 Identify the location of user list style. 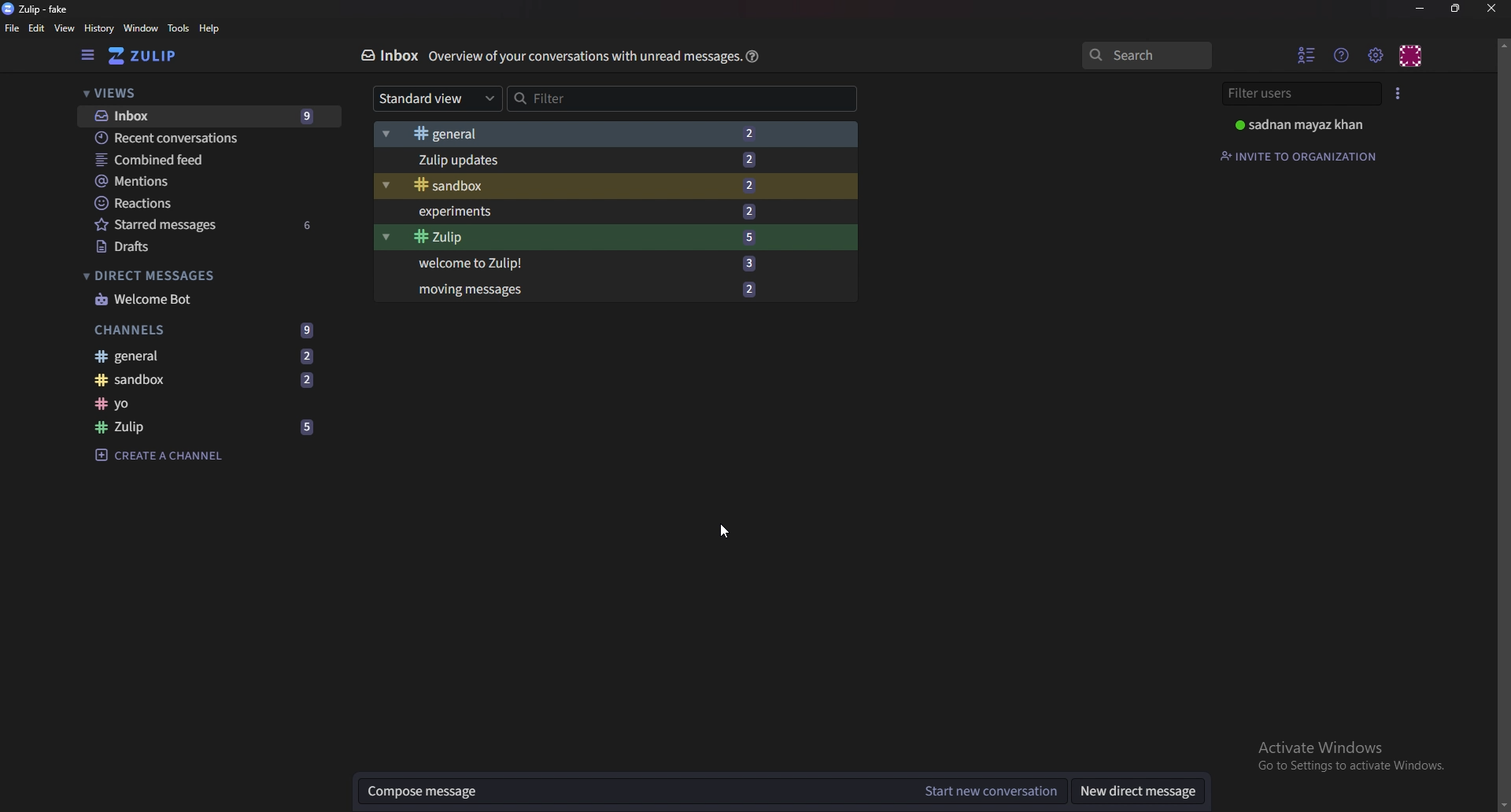
(1399, 92).